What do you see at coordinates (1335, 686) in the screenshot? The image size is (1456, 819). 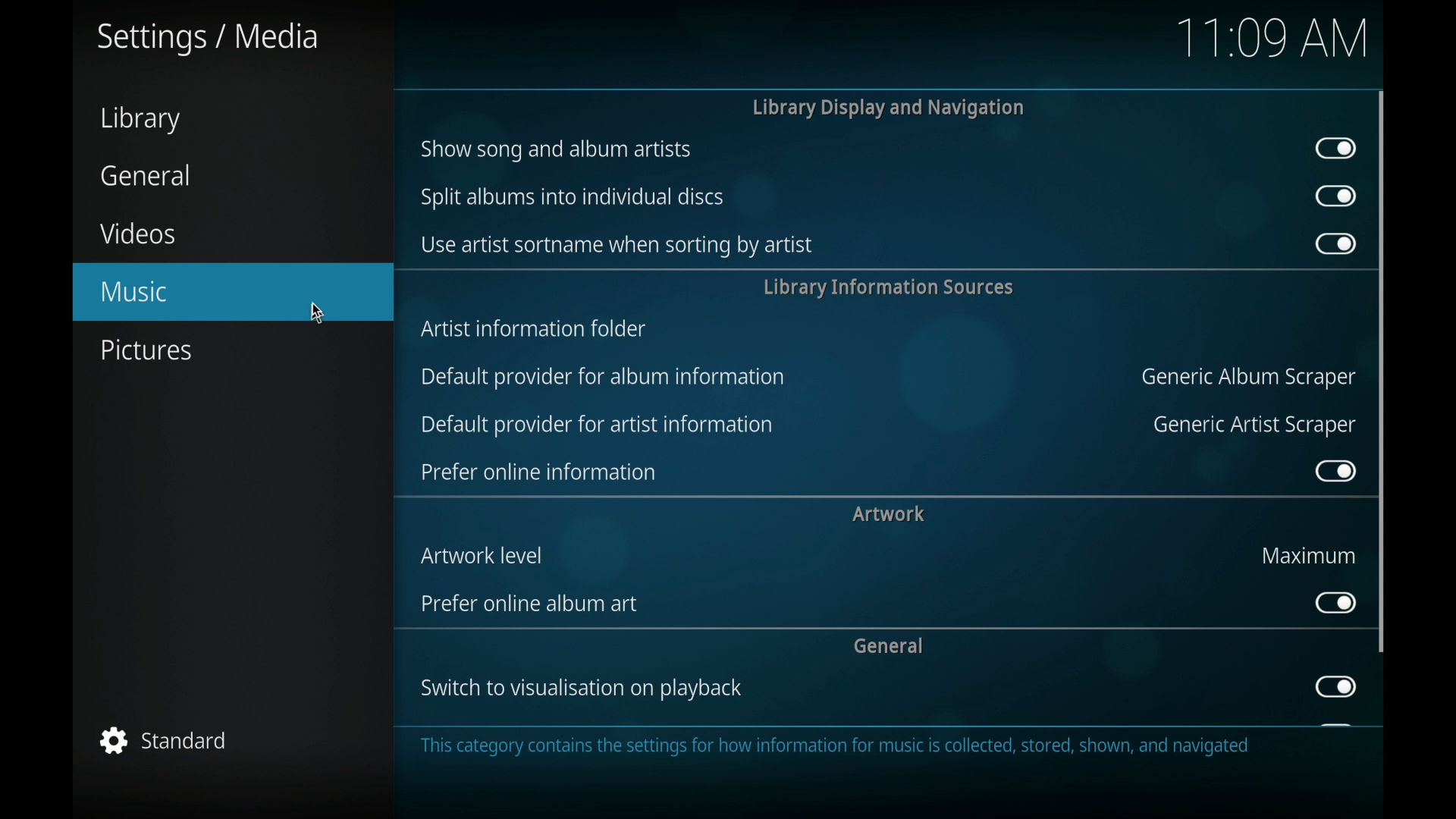 I see `toggle button` at bounding box center [1335, 686].